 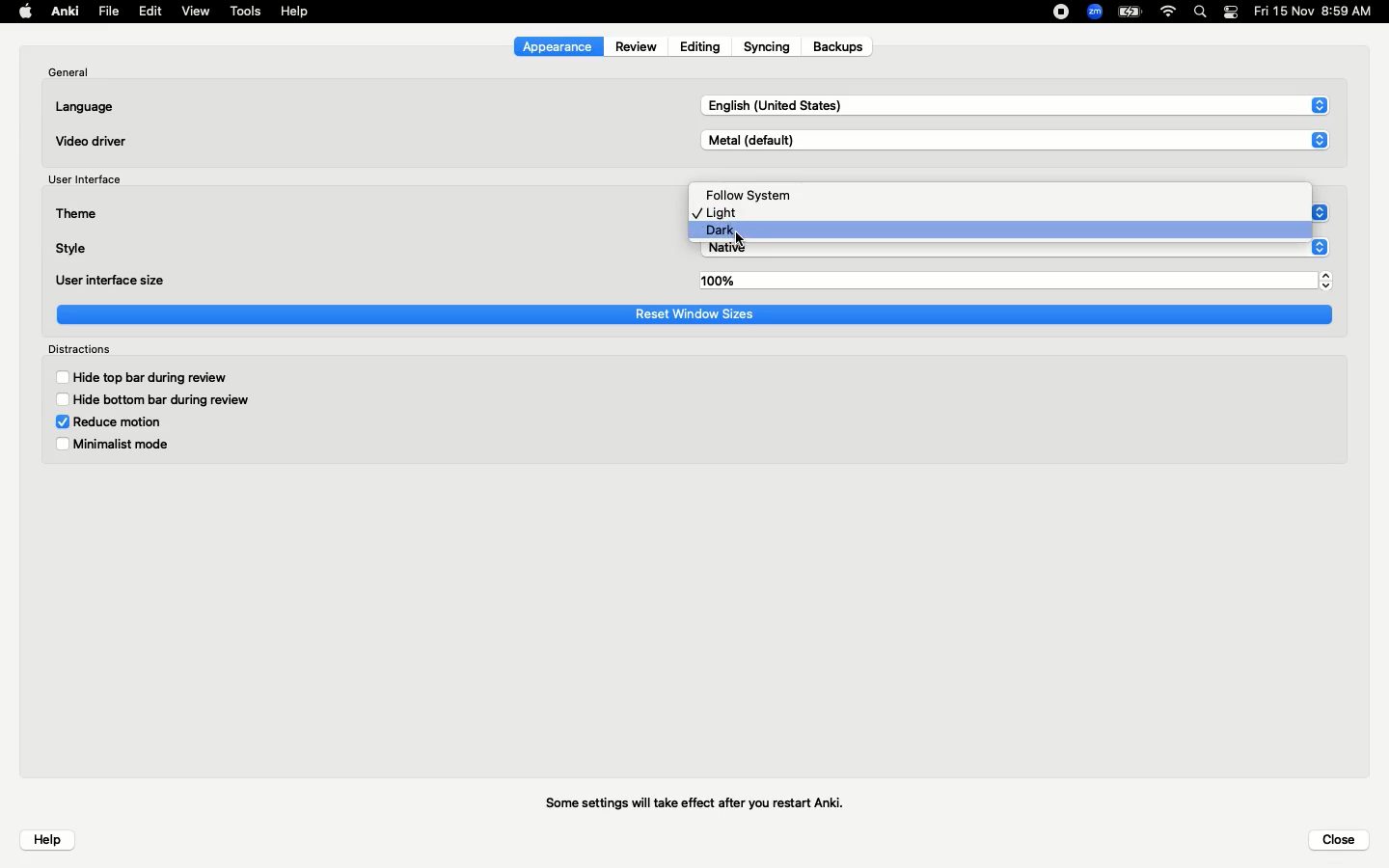 What do you see at coordinates (1199, 14) in the screenshot?
I see `Search` at bounding box center [1199, 14].